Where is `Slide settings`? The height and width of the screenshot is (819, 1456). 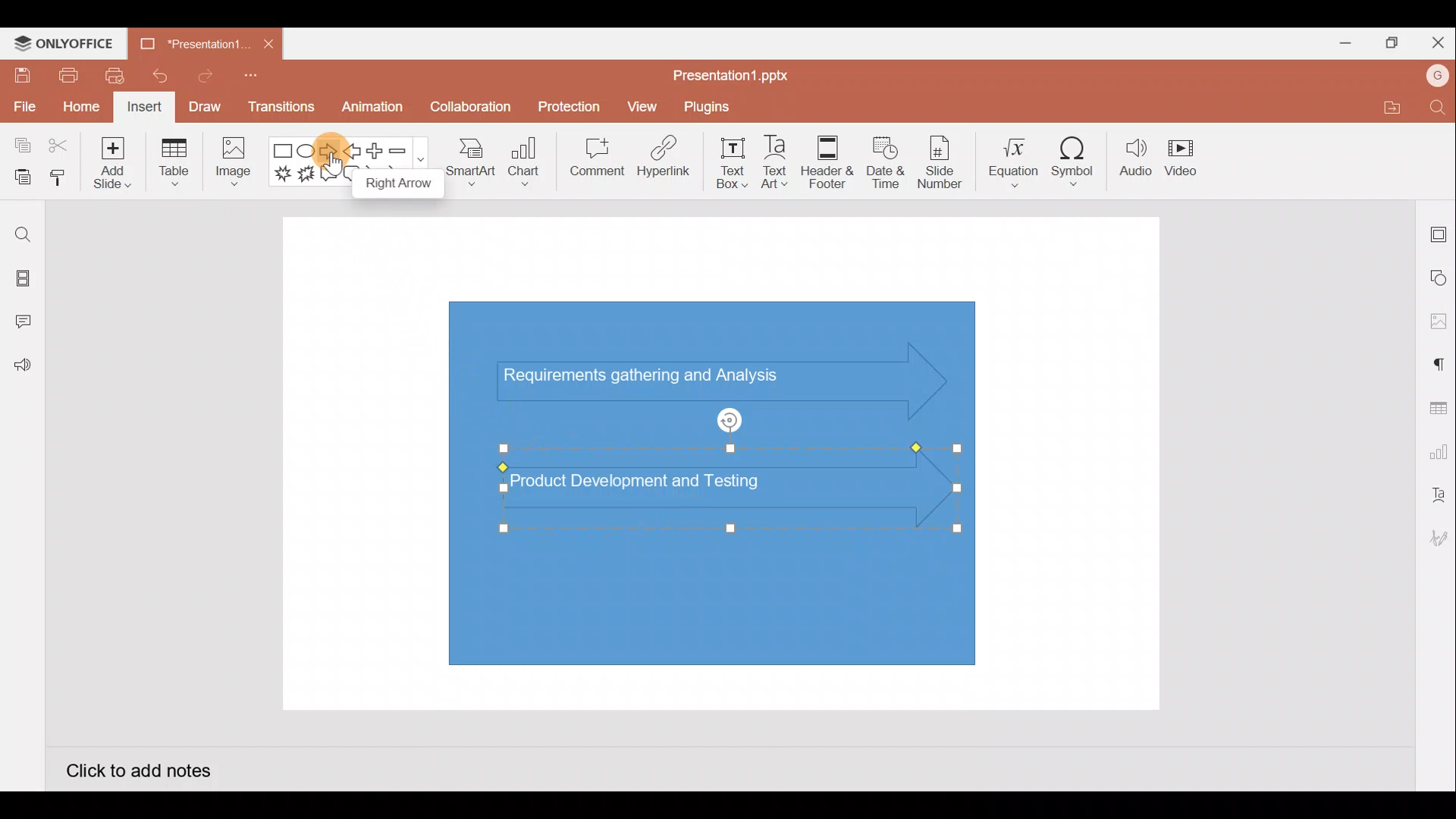 Slide settings is located at coordinates (1439, 231).